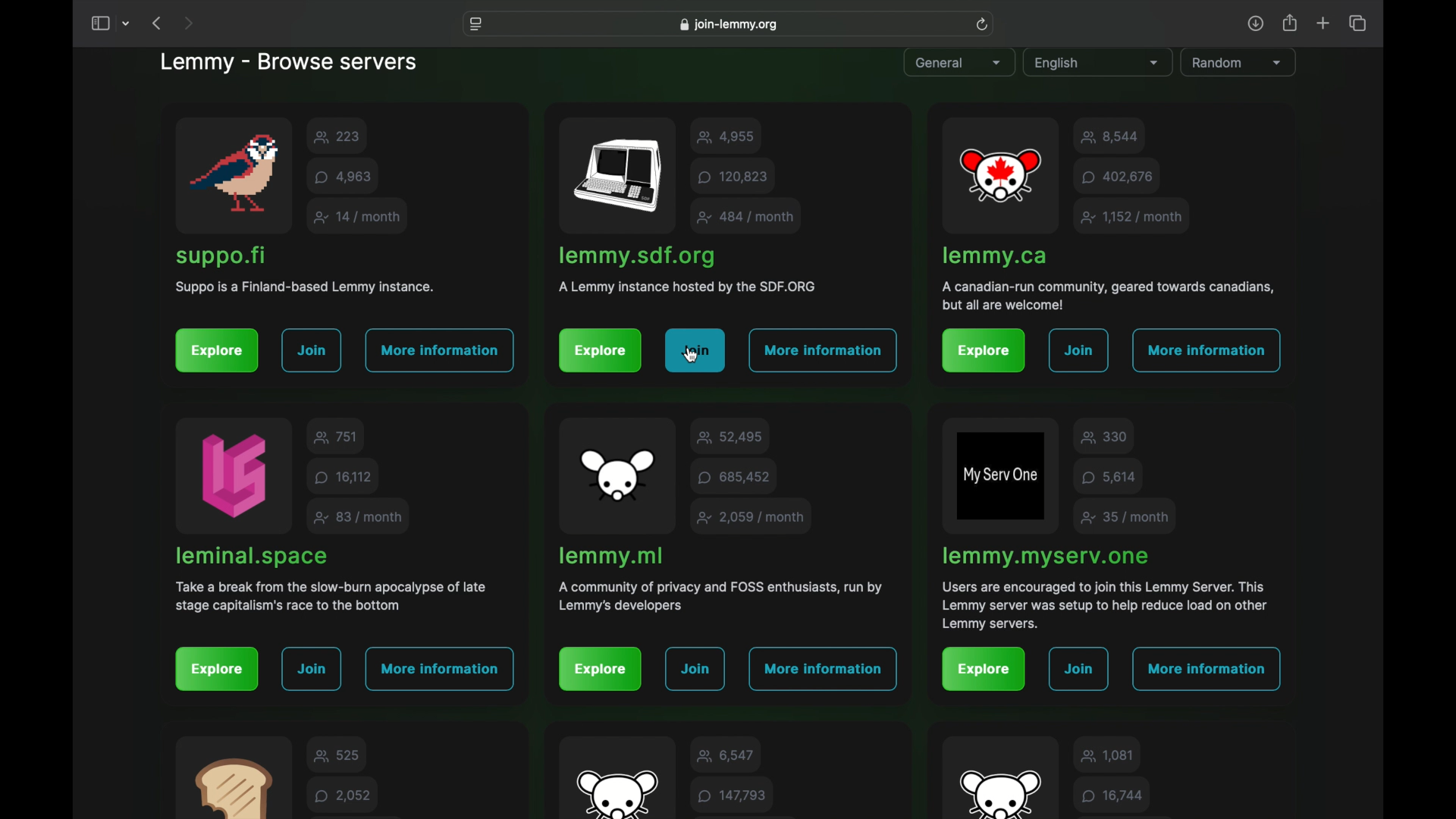  What do you see at coordinates (288, 64) in the screenshot?
I see `lemmy-browse servers` at bounding box center [288, 64].